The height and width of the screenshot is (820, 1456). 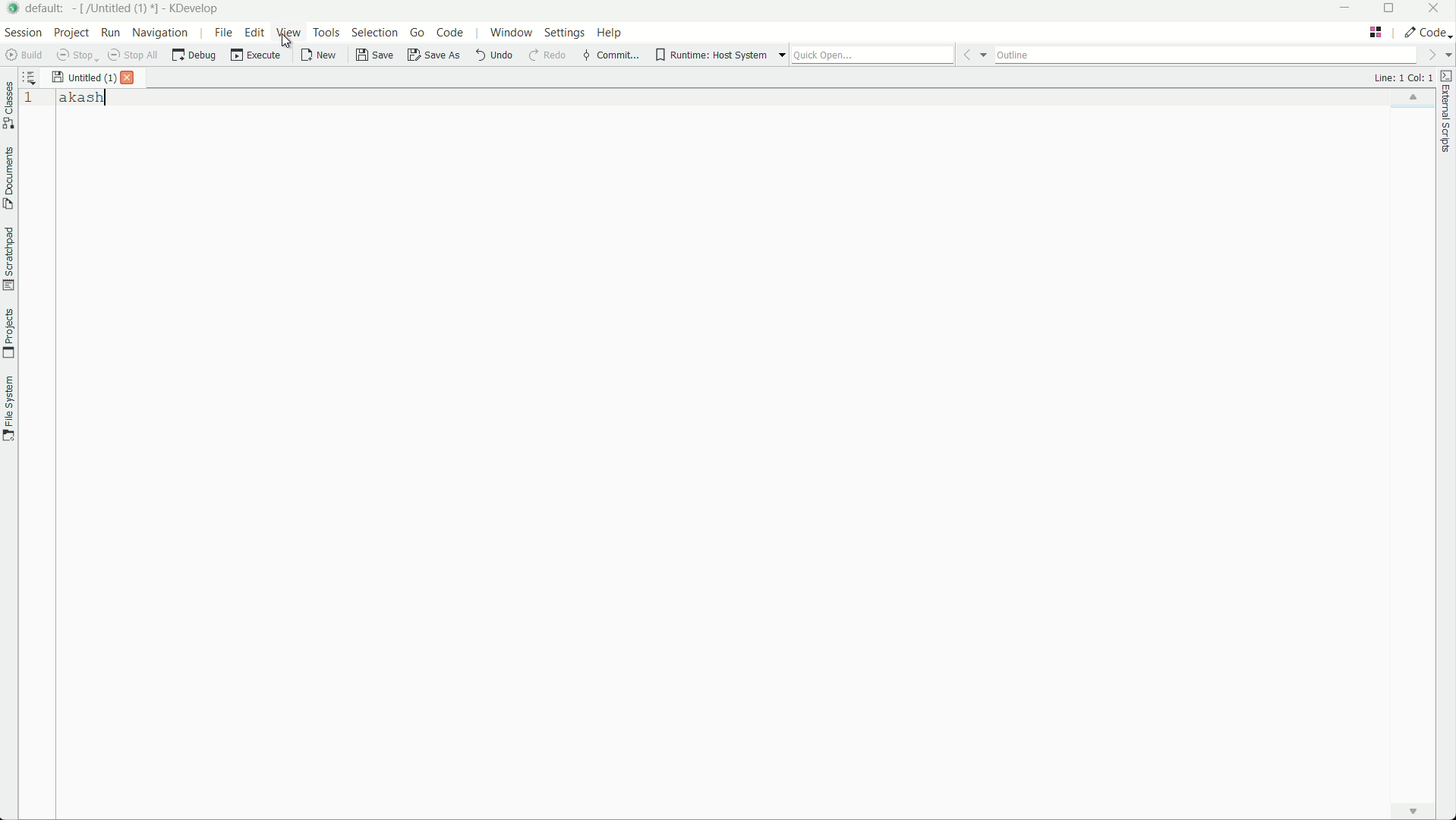 What do you see at coordinates (130, 78) in the screenshot?
I see `close file` at bounding box center [130, 78].